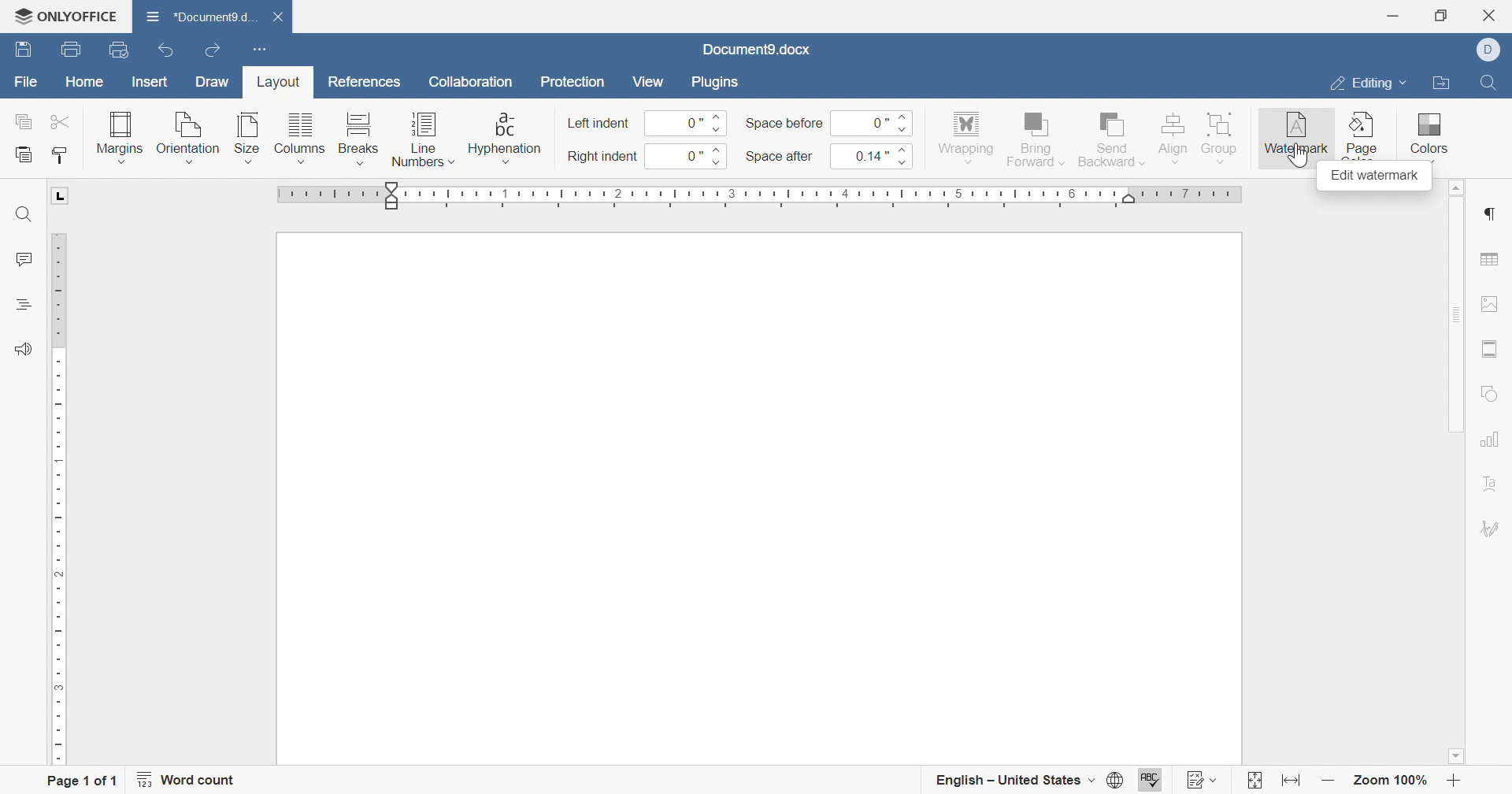 This screenshot has width=1512, height=794. Describe the element at coordinates (1365, 86) in the screenshot. I see `editing` at that location.